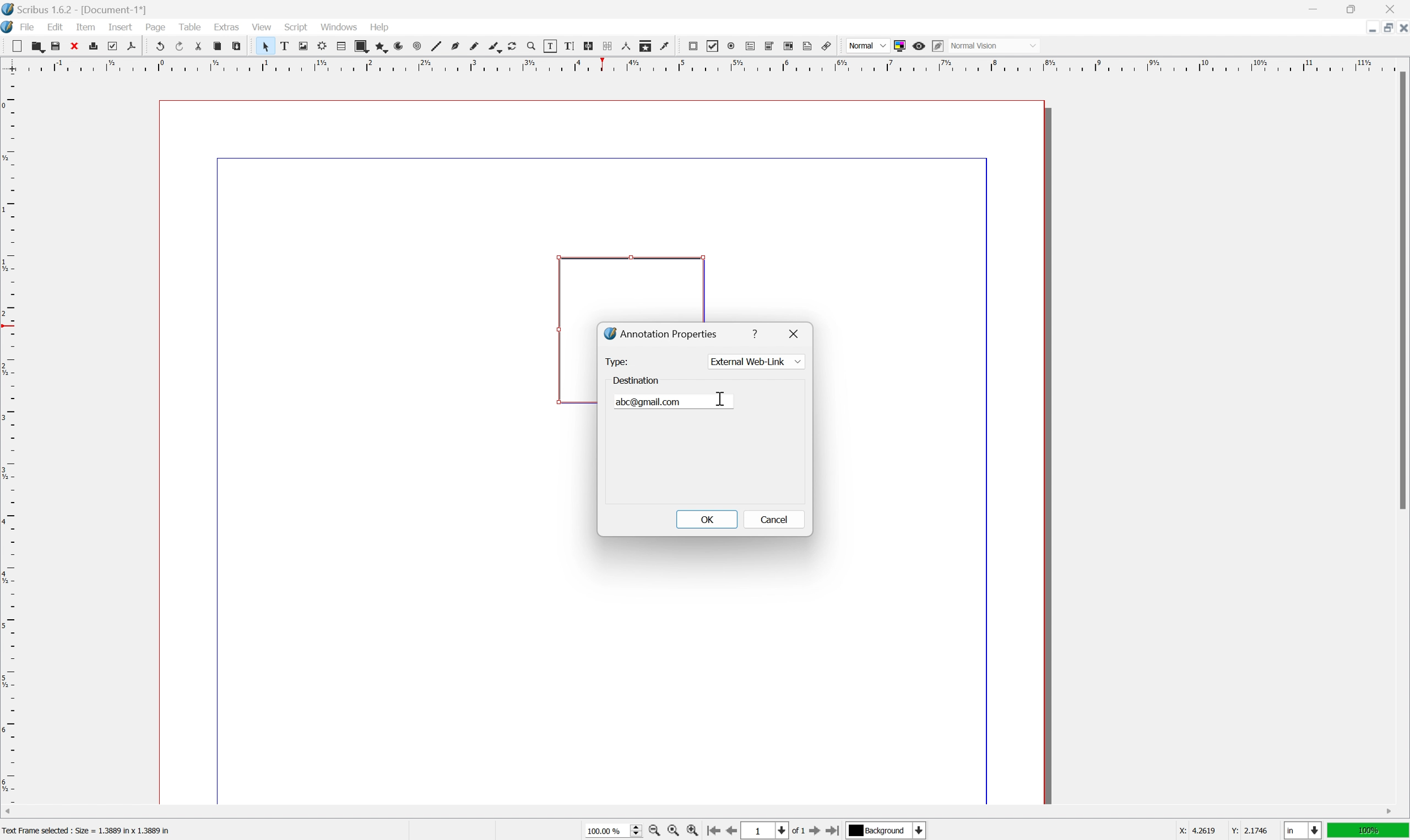 The width and height of the screenshot is (1410, 840). I want to click on help, so click(757, 333).